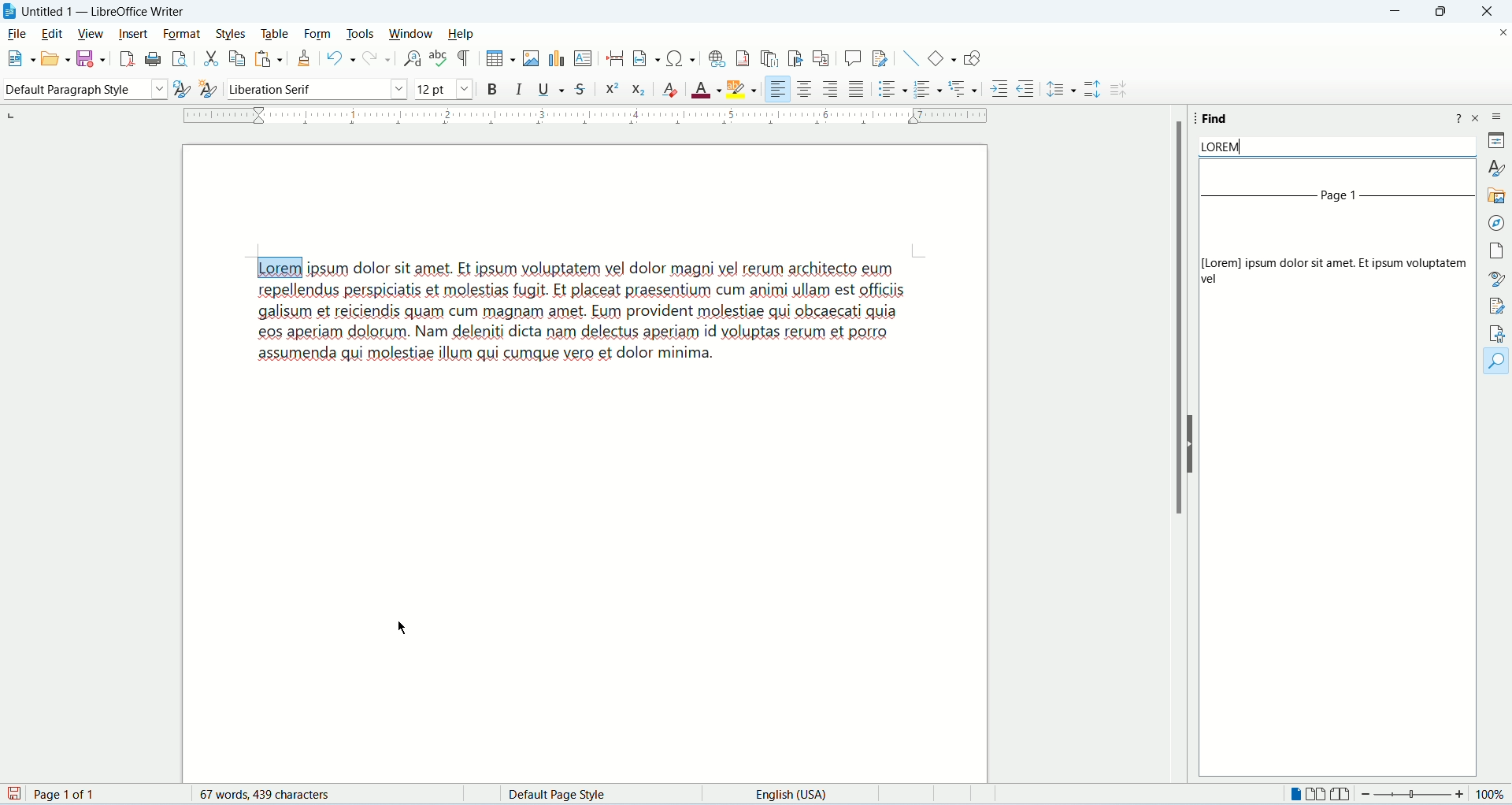 Image resolution: width=1512 pixels, height=805 pixels. Describe the element at coordinates (795, 60) in the screenshot. I see `insert bookmark` at that location.